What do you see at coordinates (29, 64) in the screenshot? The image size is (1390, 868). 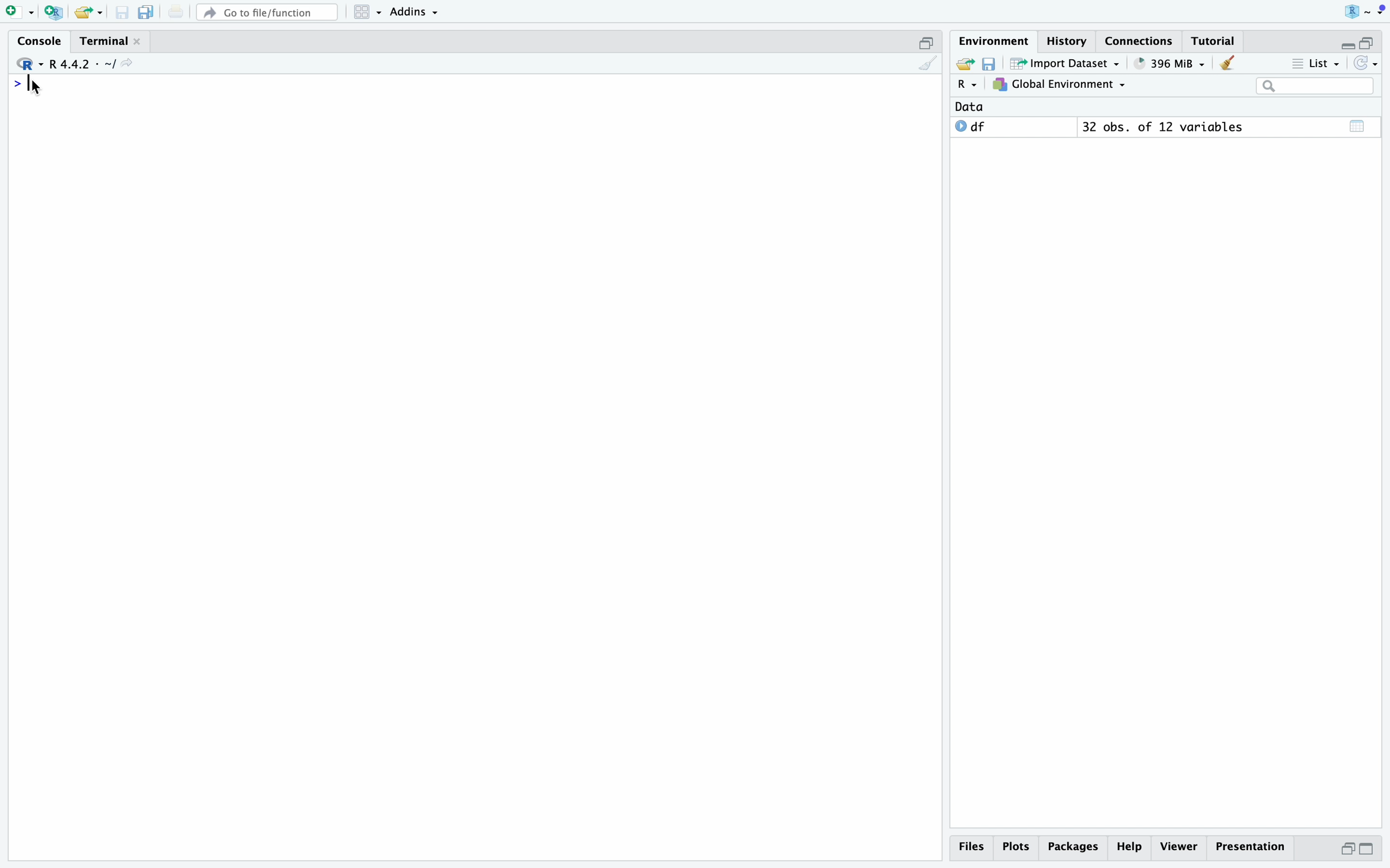 I see `R` at bounding box center [29, 64].